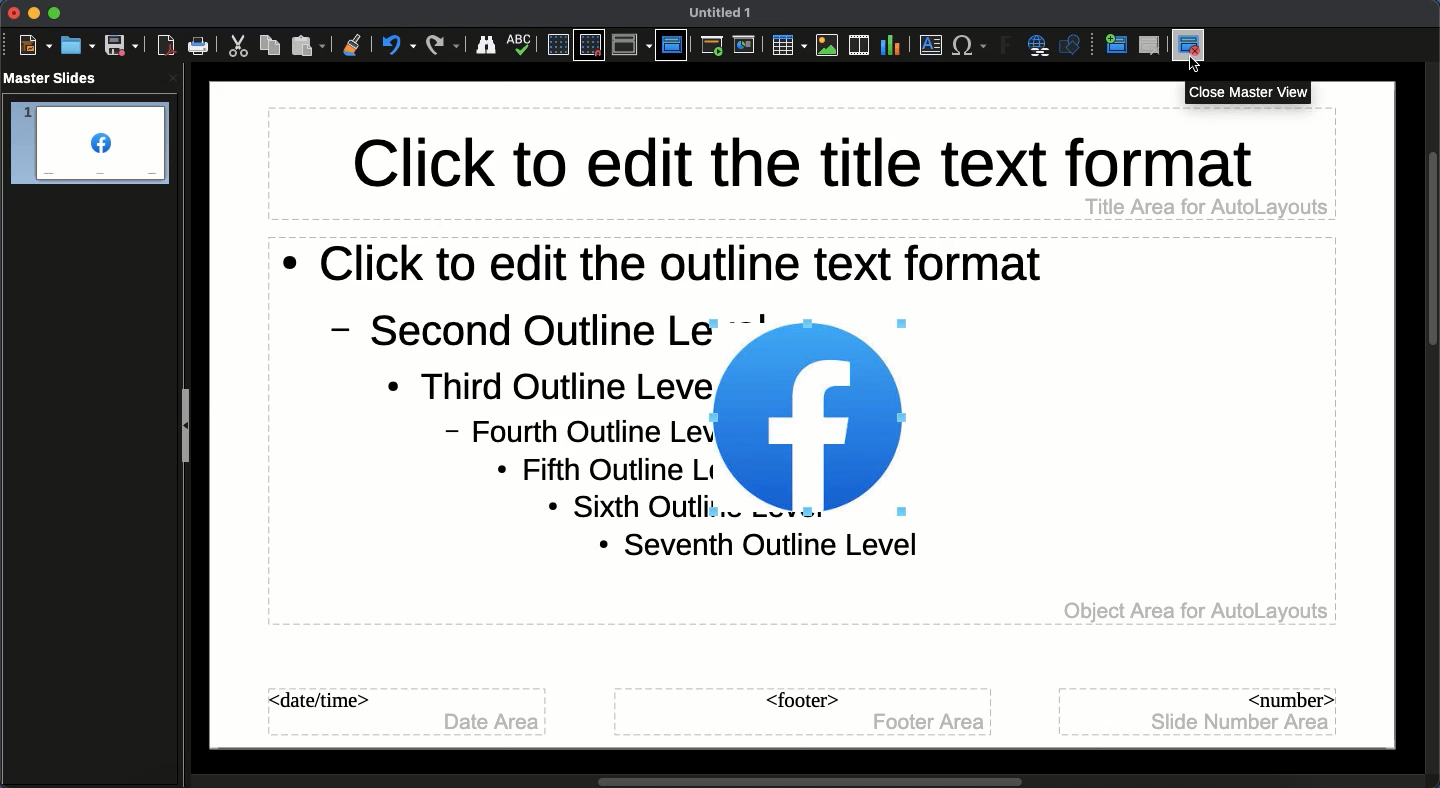  Describe the element at coordinates (826, 42) in the screenshot. I see `Images` at that location.